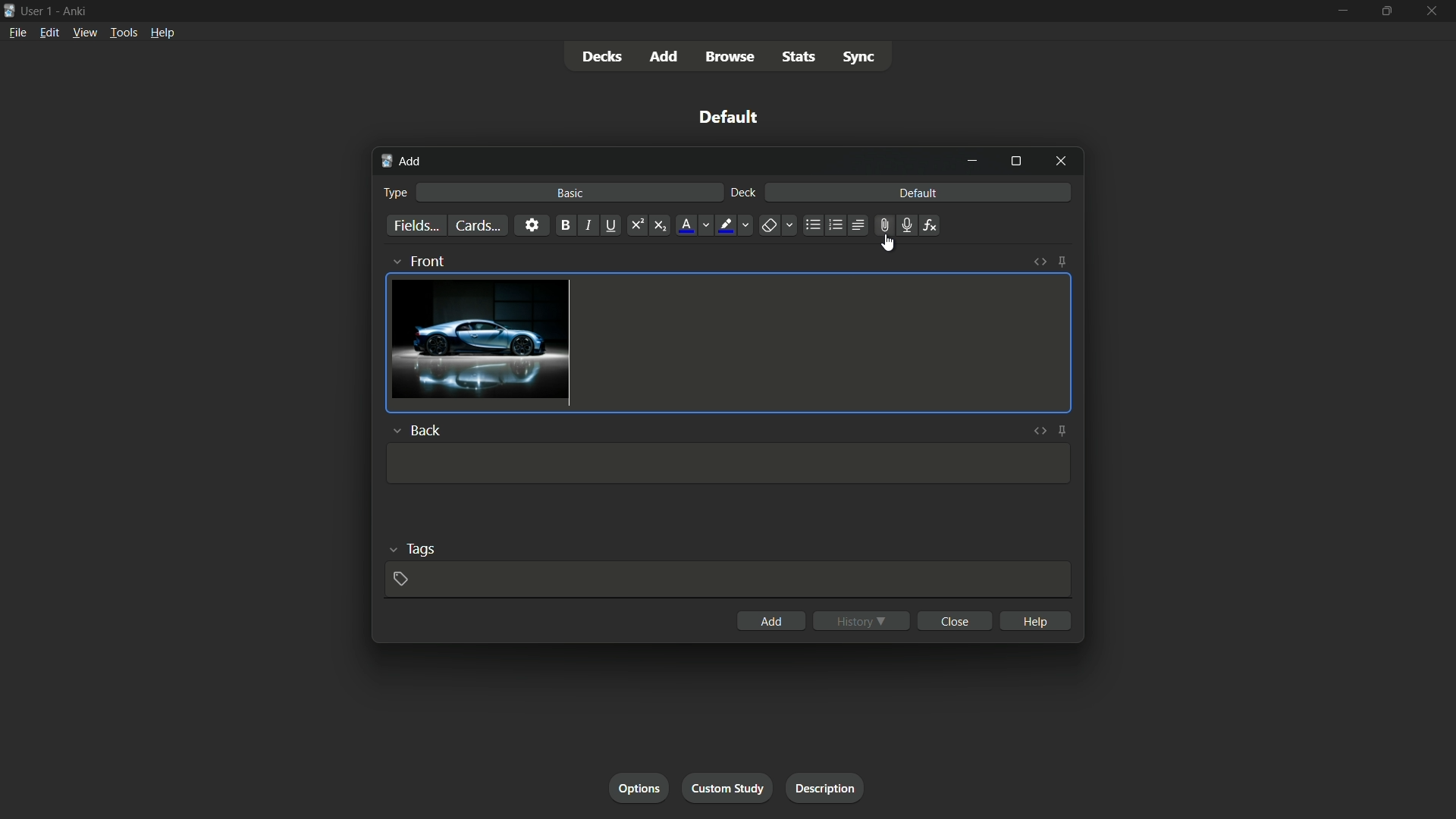 The height and width of the screenshot is (819, 1456). What do you see at coordinates (613, 224) in the screenshot?
I see `underline` at bounding box center [613, 224].